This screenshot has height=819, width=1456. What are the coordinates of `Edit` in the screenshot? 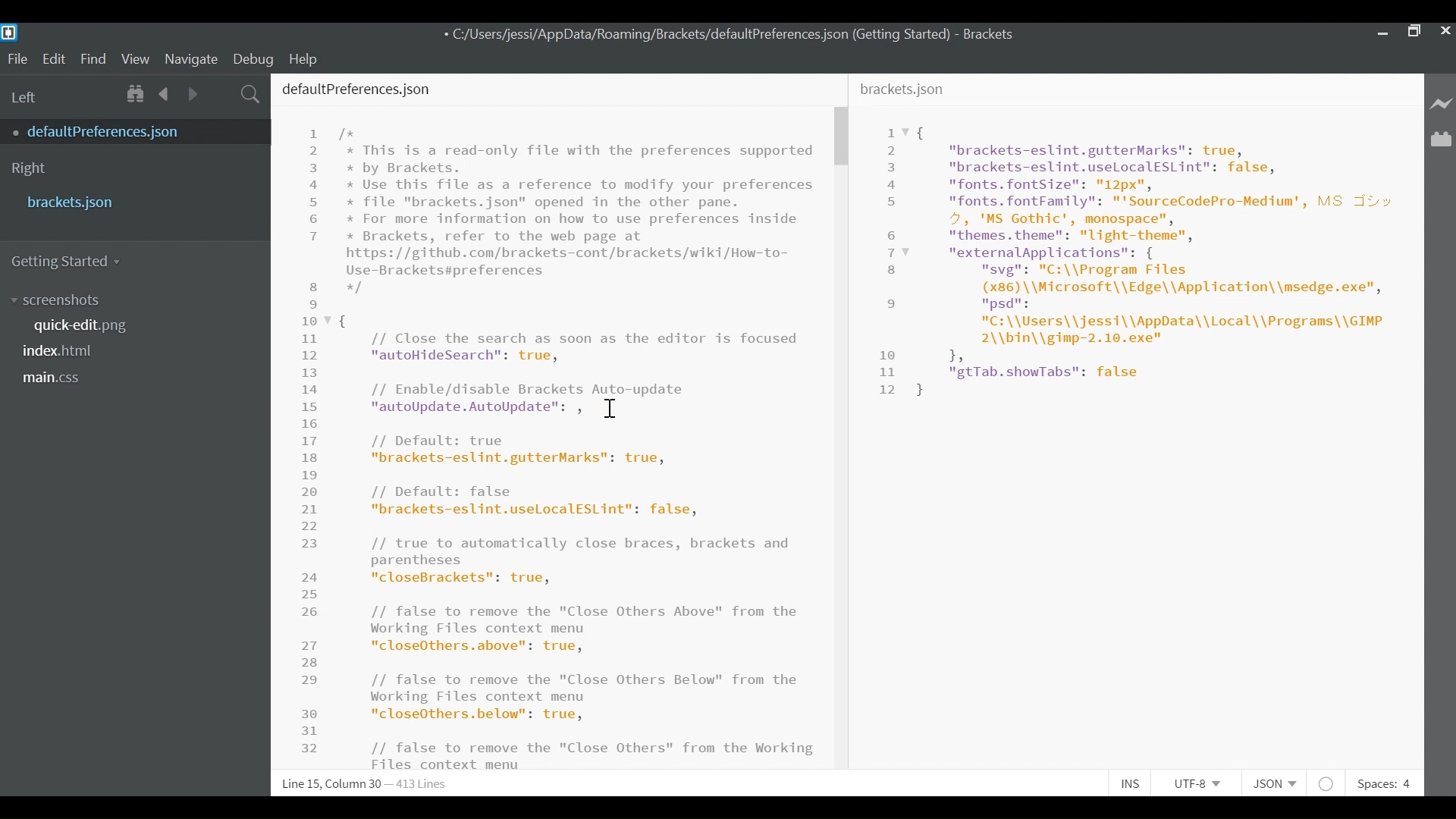 It's located at (54, 58).